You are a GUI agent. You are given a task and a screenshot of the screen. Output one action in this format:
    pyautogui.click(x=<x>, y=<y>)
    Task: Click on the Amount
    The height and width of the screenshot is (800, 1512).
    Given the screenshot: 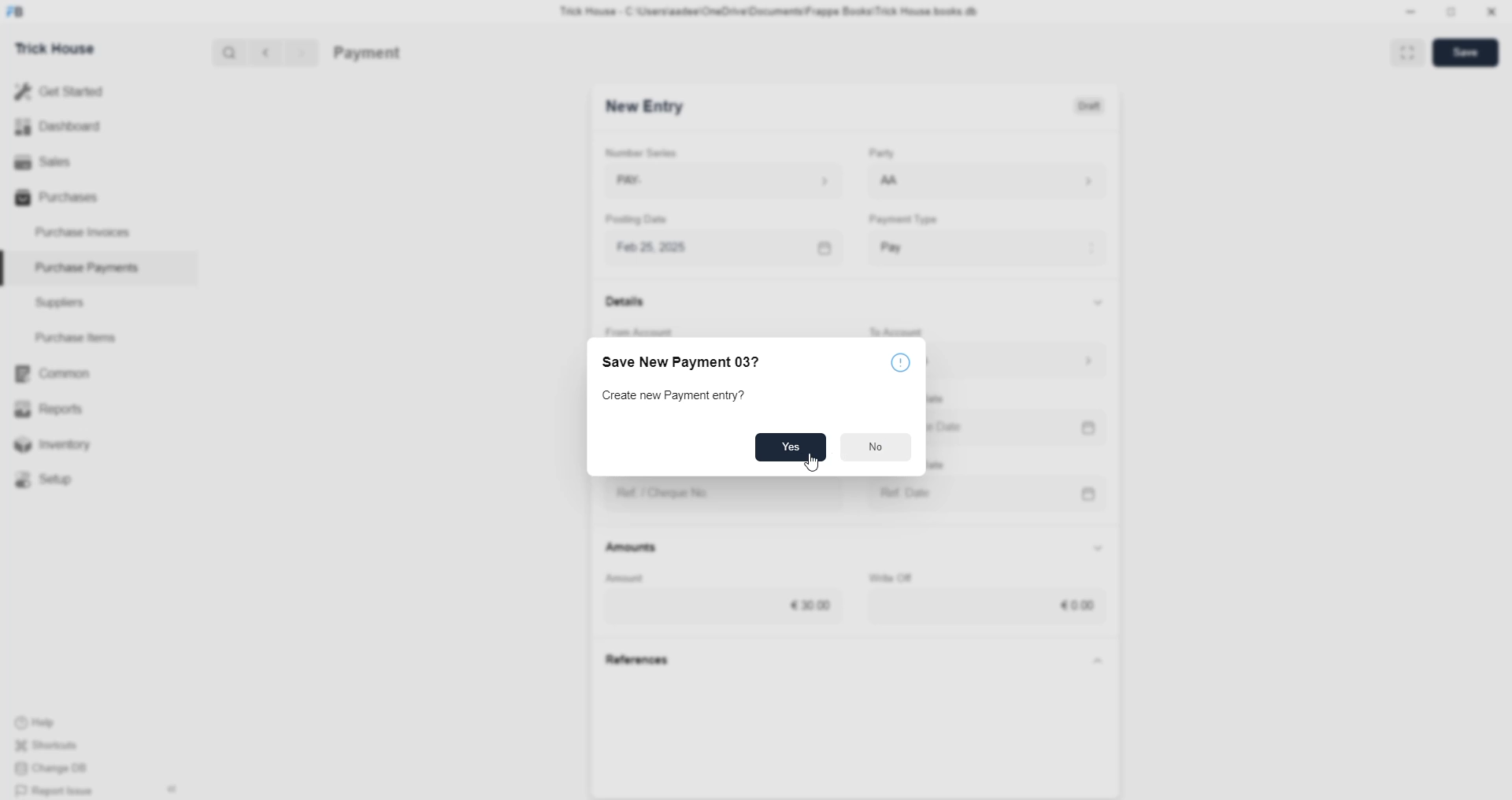 What is the action you would take?
    pyautogui.click(x=642, y=576)
    